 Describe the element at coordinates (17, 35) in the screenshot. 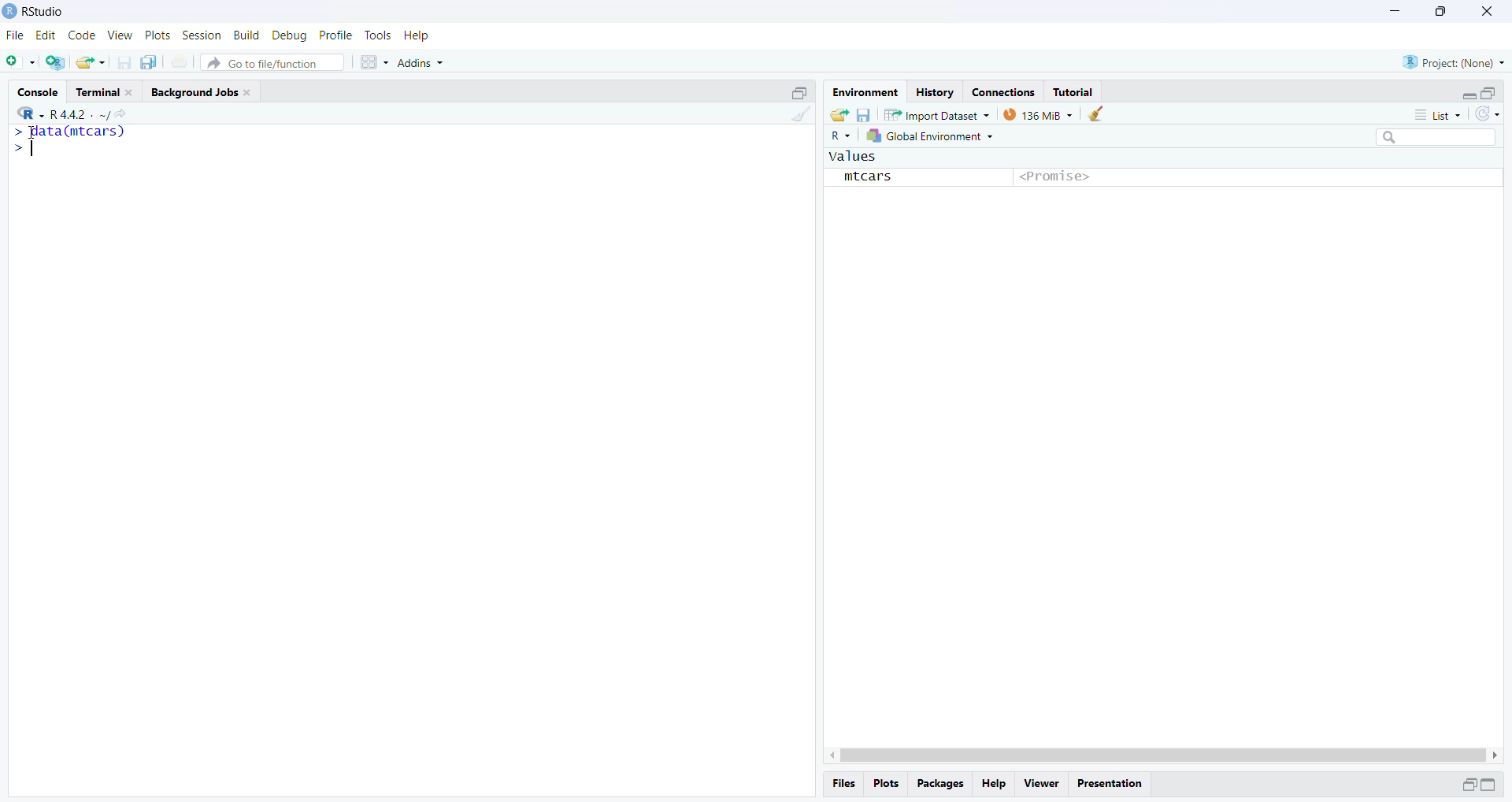

I see `File` at that location.